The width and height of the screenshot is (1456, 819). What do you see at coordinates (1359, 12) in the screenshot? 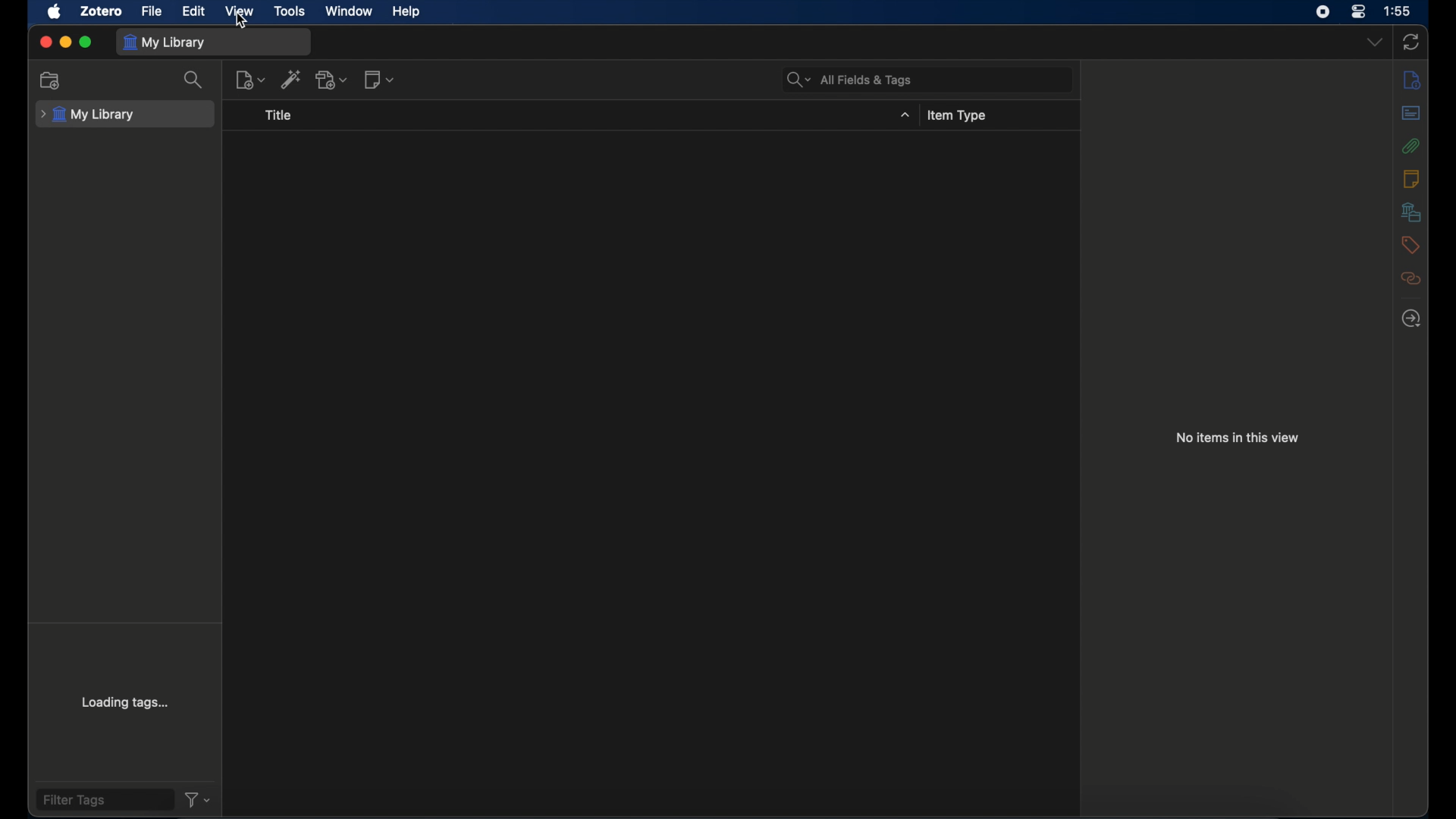
I see `control center` at bounding box center [1359, 12].